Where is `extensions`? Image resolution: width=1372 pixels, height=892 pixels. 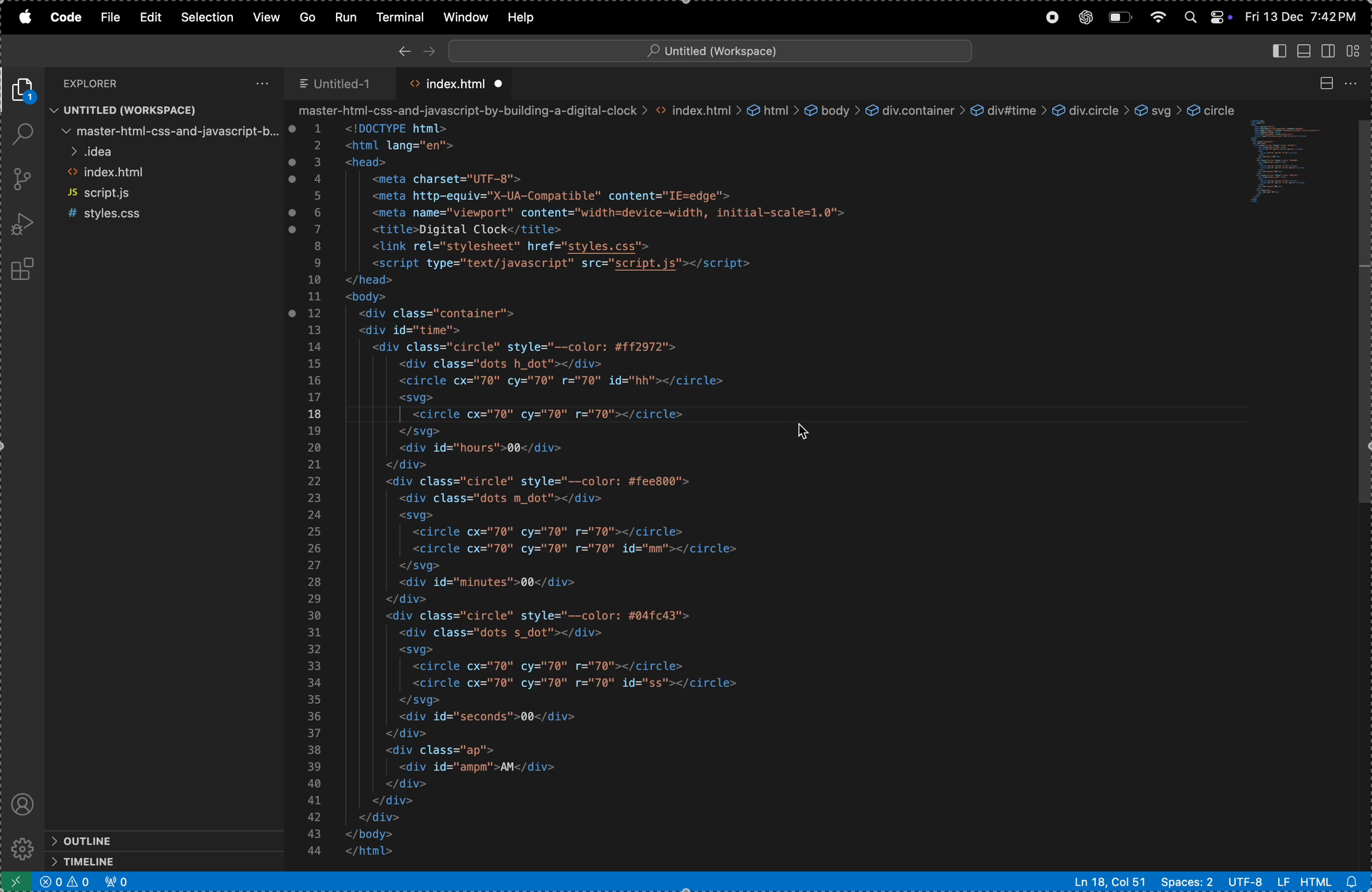 extensions is located at coordinates (24, 271).